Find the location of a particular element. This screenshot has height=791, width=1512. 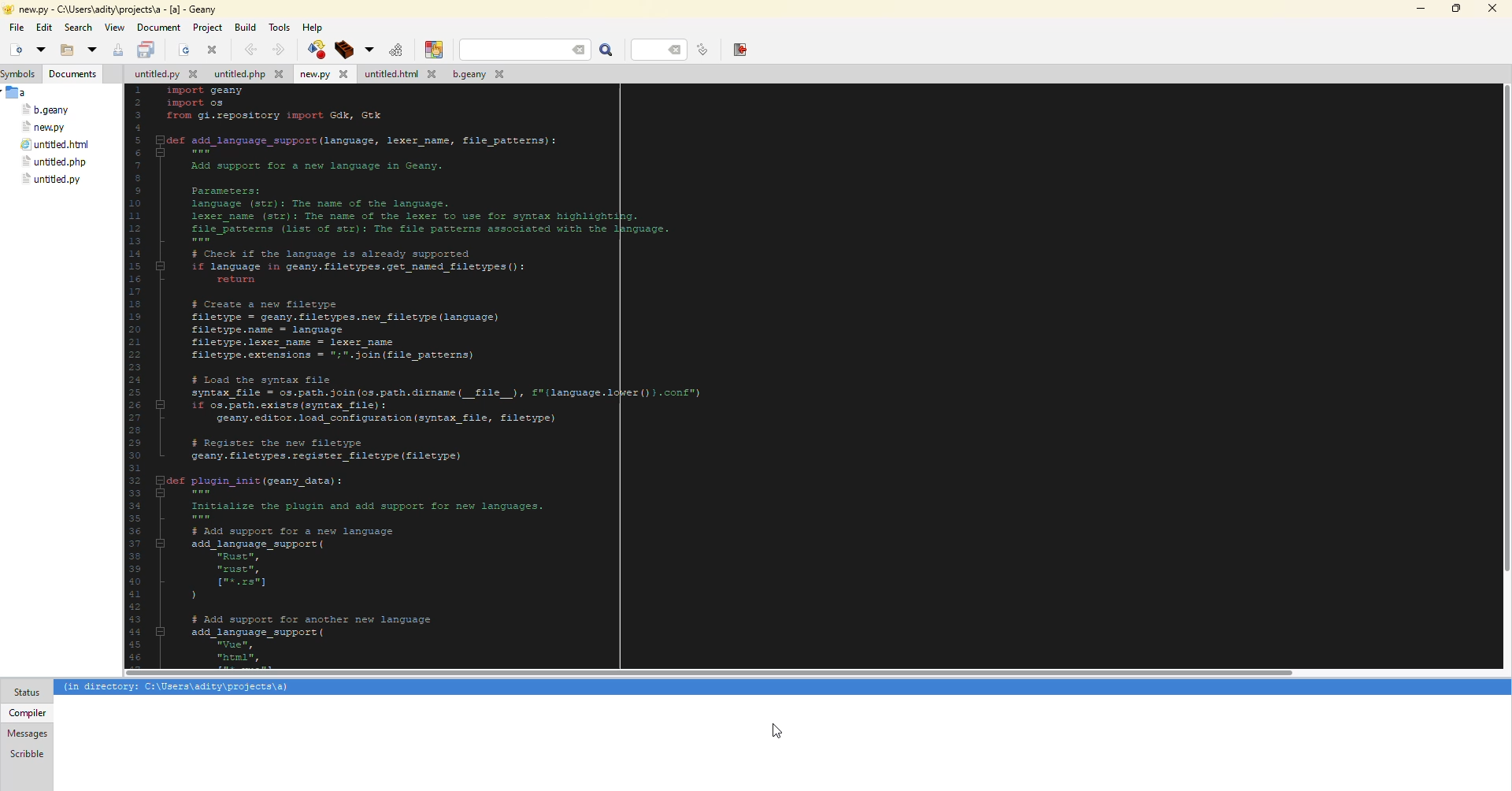

line is located at coordinates (701, 50).